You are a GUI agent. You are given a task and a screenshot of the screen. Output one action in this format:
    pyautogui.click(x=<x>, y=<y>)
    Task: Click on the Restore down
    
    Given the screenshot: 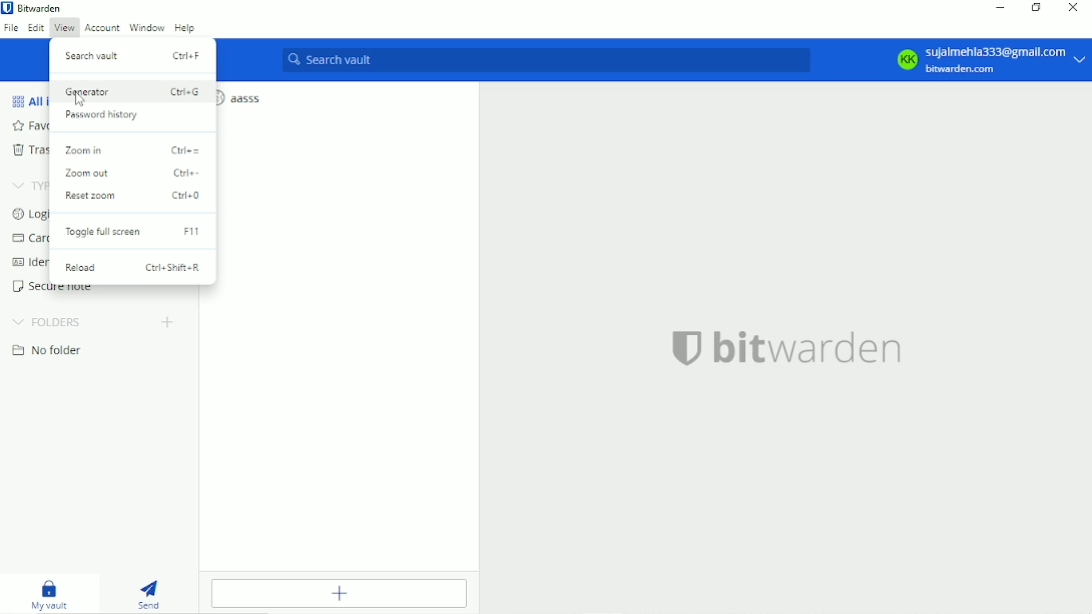 What is the action you would take?
    pyautogui.click(x=1037, y=7)
    